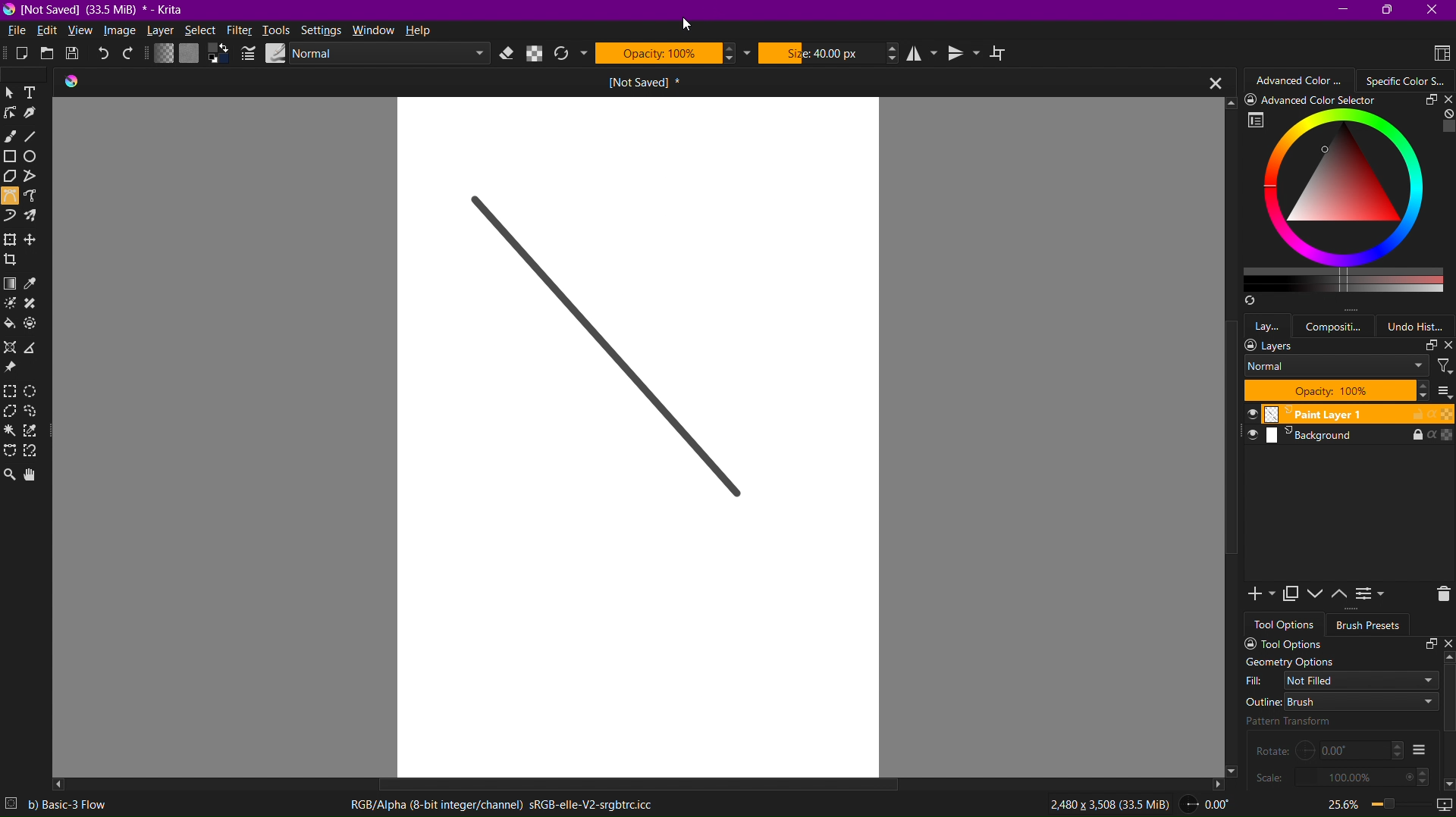  What do you see at coordinates (35, 474) in the screenshot?
I see `Pan Tool` at bounding box center [35, 474].